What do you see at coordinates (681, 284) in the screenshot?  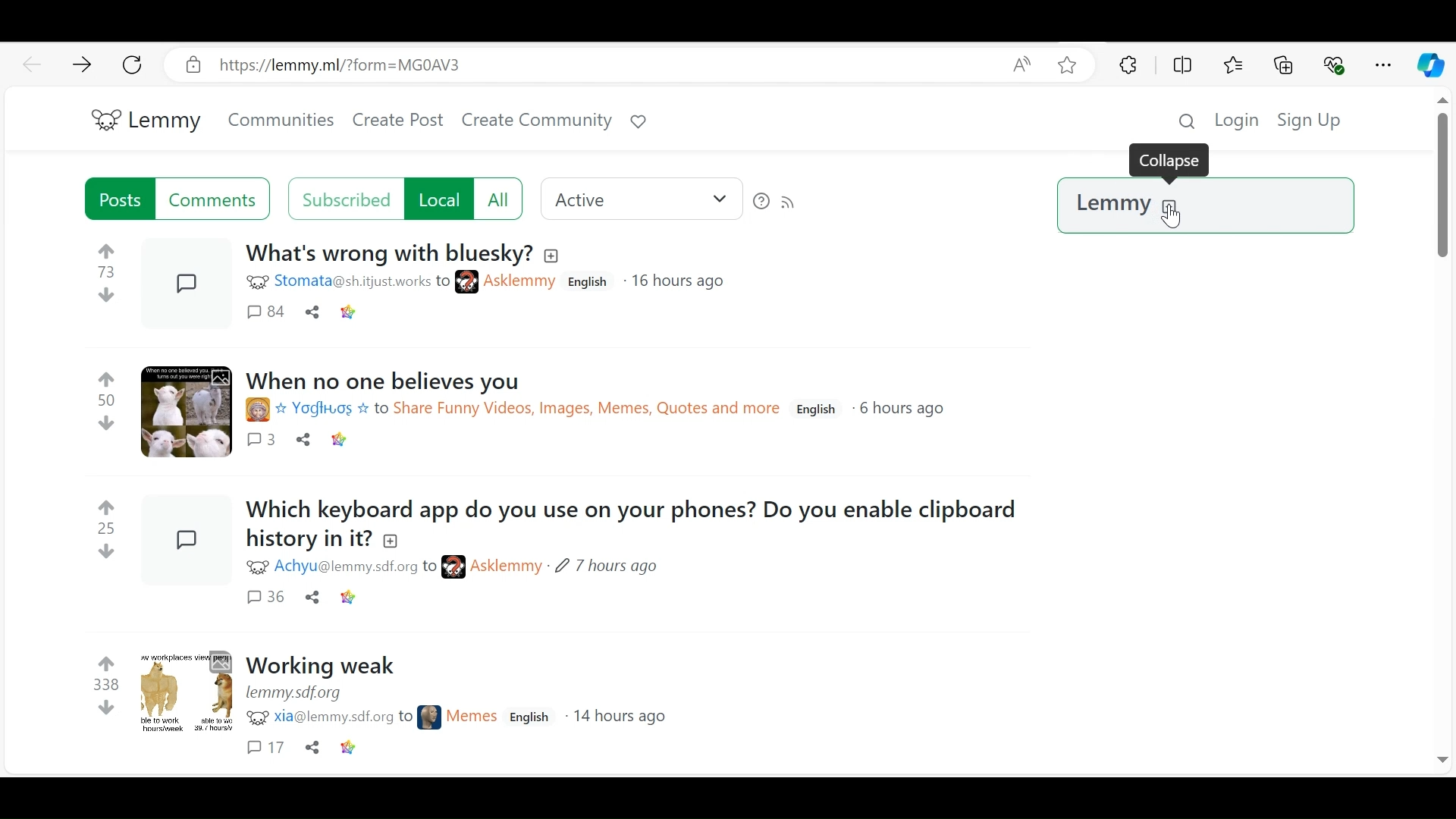 I see `Time posted` at bounding box center [681, 284].